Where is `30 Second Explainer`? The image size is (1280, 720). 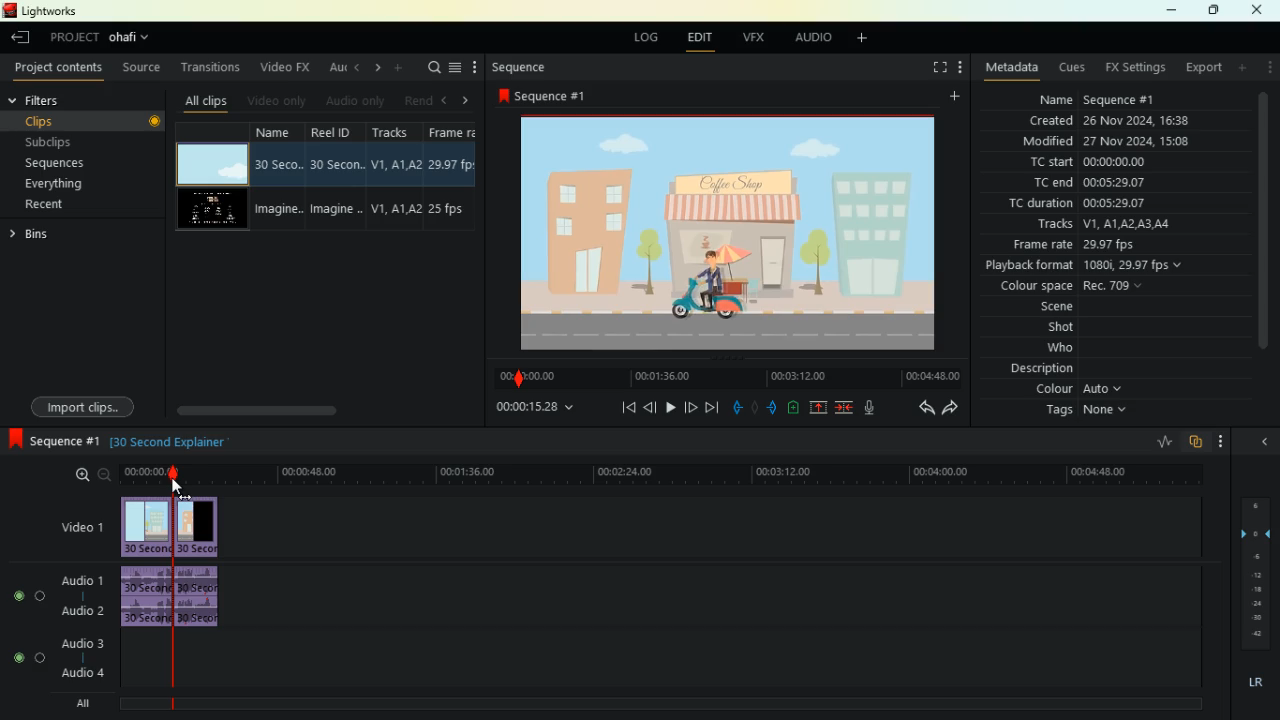 30 Second Explainer is located at coordinates (591, 446).